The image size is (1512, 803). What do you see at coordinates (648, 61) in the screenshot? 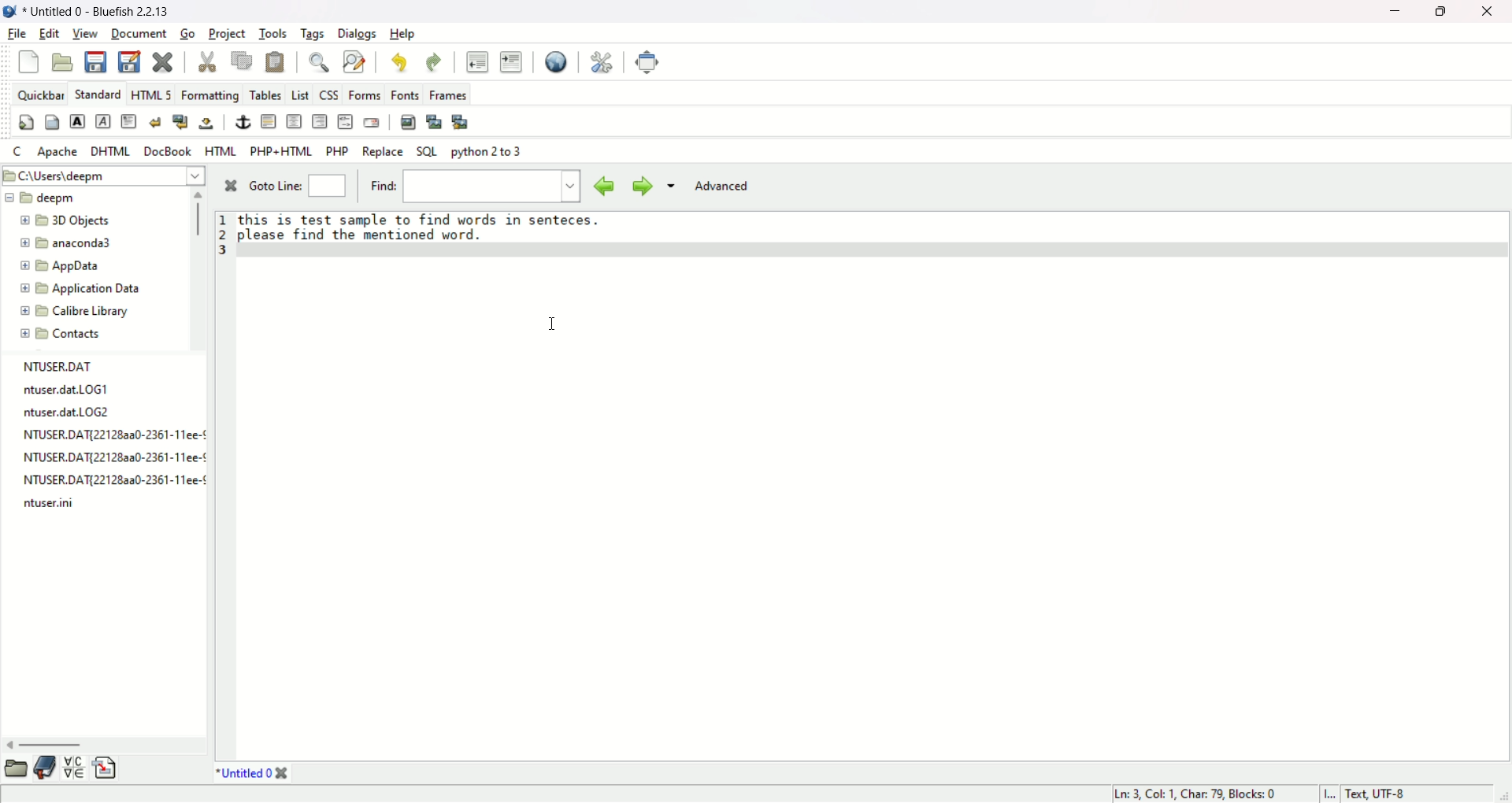
I see `fullscreen` at bounding box center [648, 61].